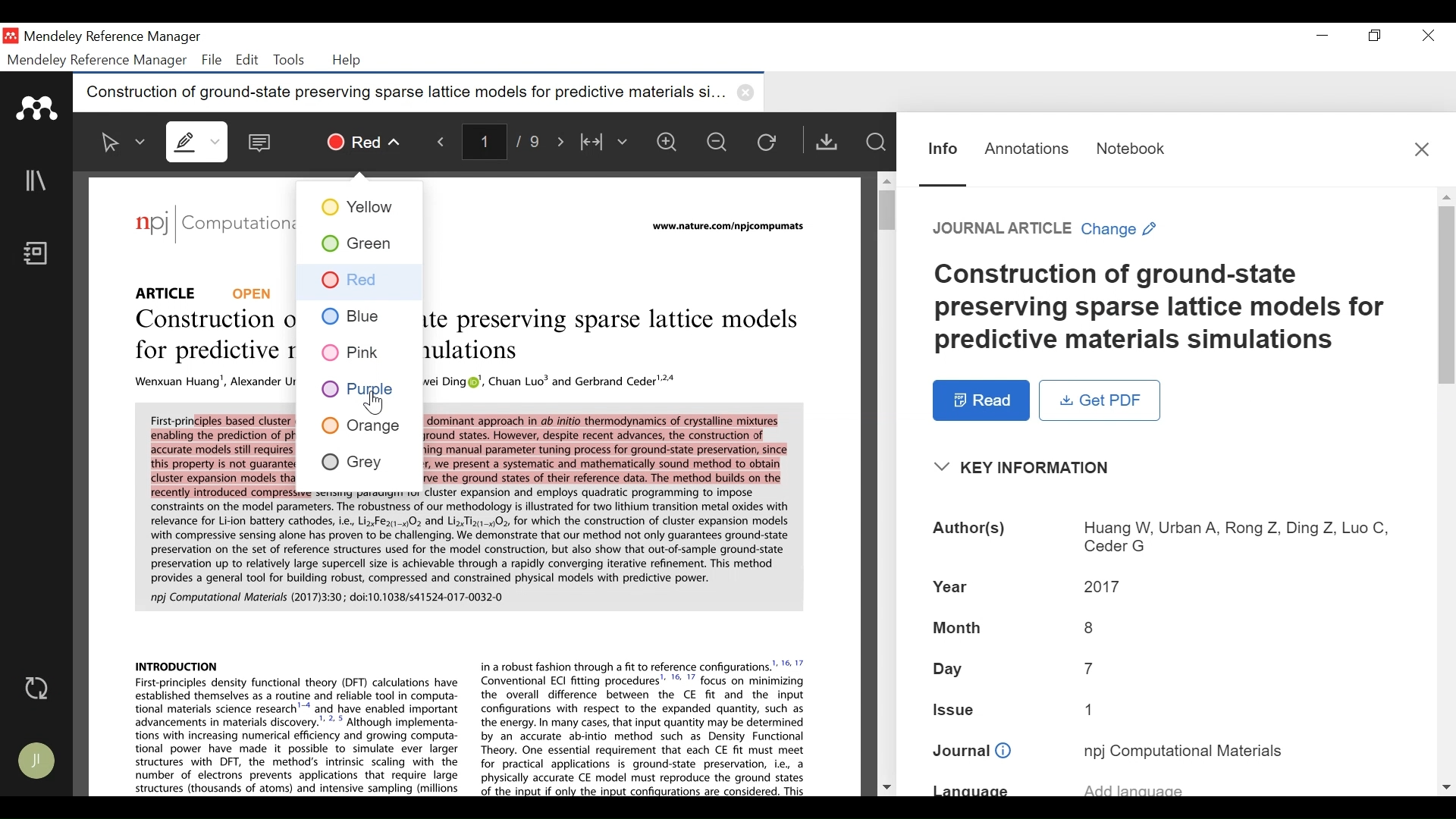  I want to click on Help, so click(352, 61).